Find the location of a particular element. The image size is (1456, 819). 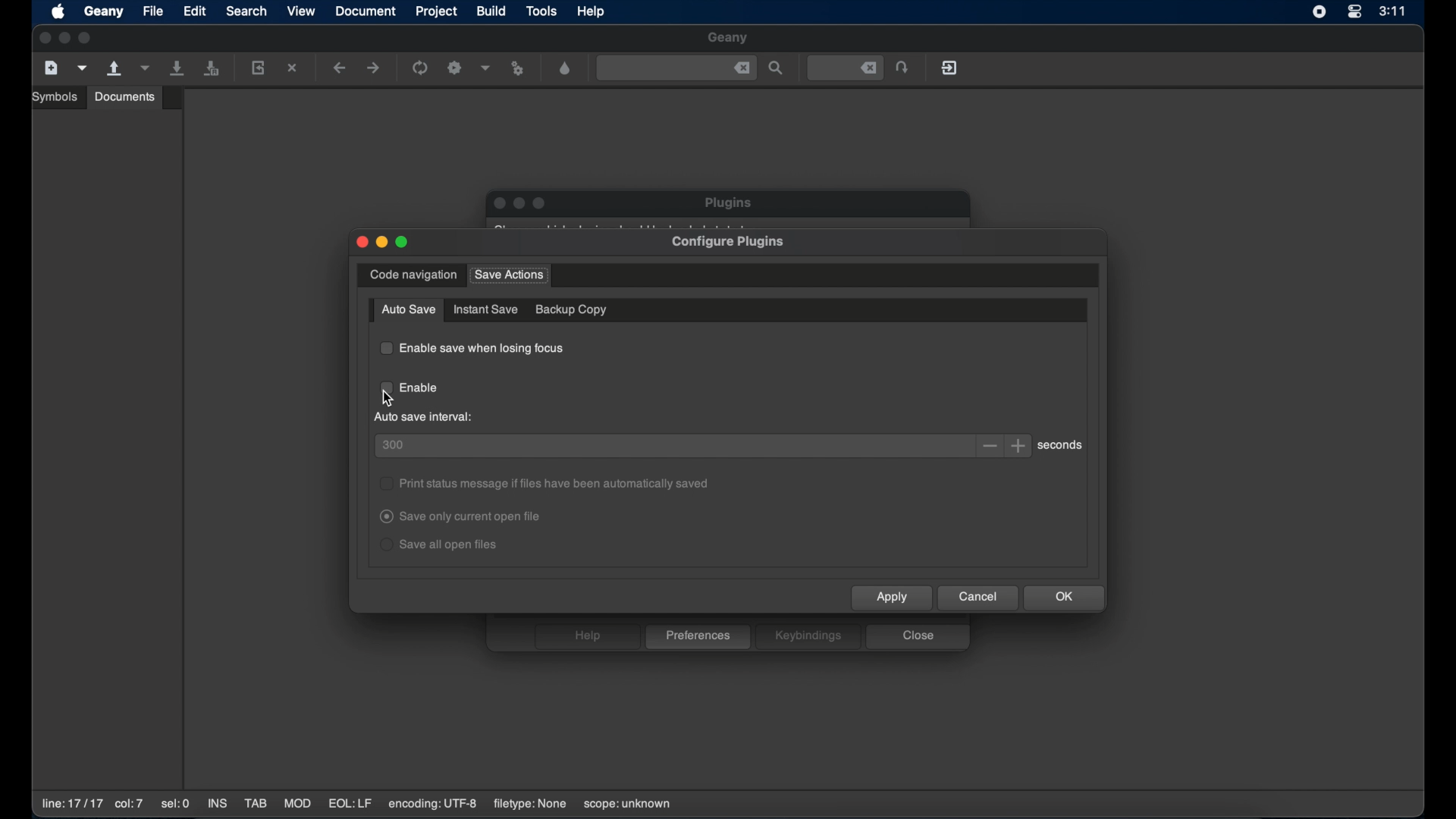

enable checkbox is located at coordinates (411, 389).